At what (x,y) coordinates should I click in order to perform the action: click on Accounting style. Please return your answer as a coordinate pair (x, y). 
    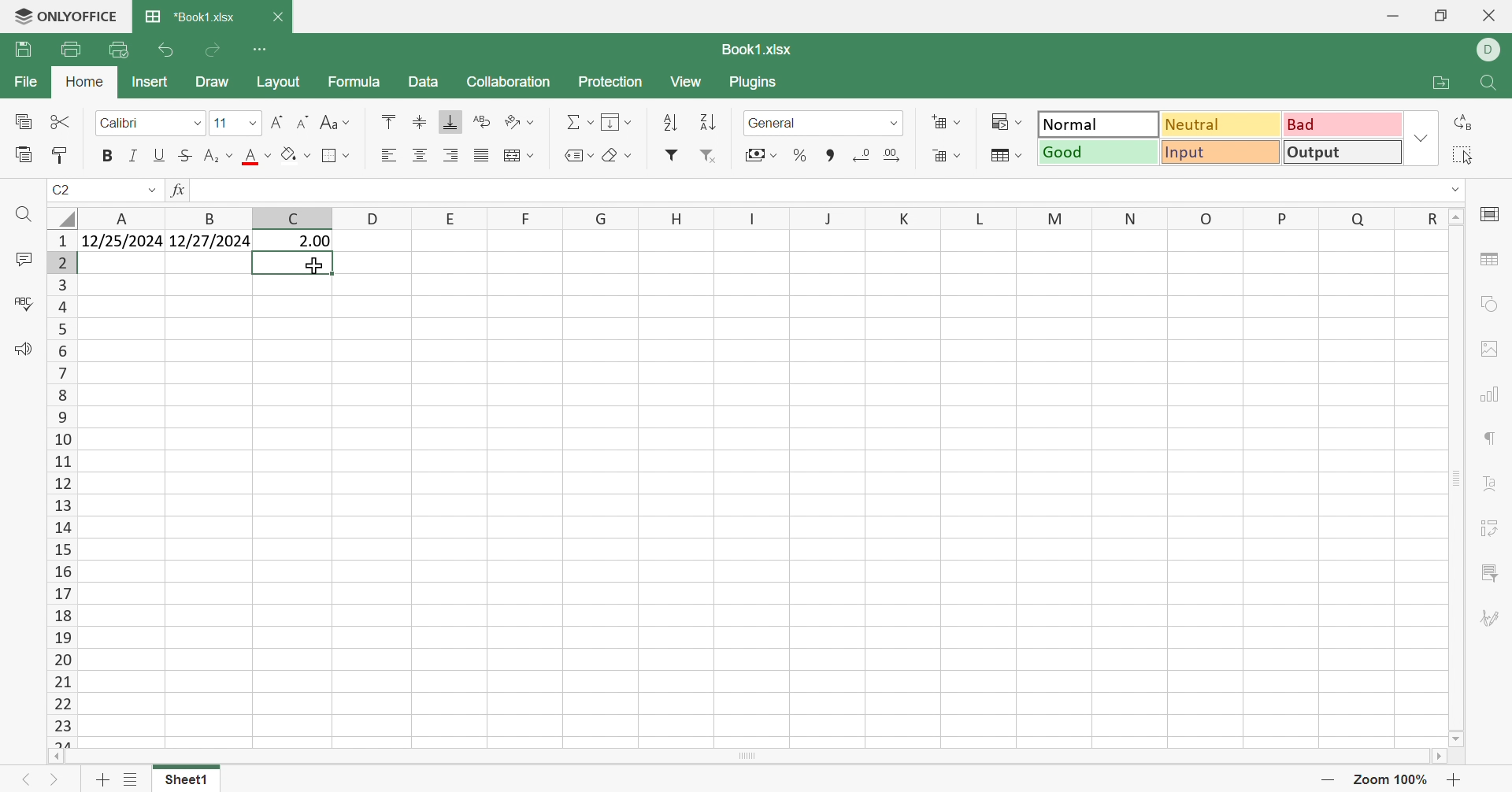
    Looking at the image, I should click on (763, 154).